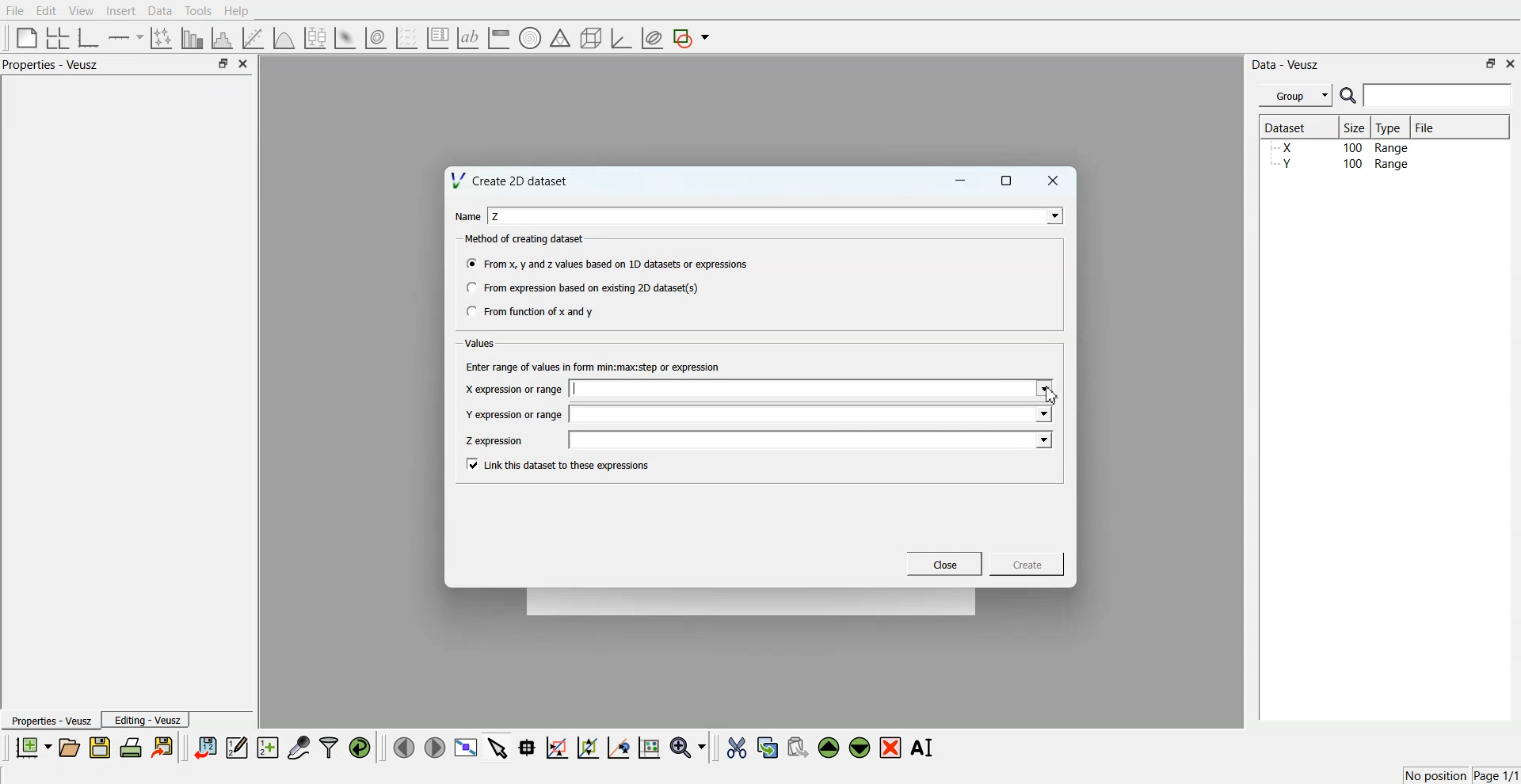 This screenshot has height=784, width=1521. Describe the element at coordinates (1054, 181) in the screenshot. I see `Close` at that location.